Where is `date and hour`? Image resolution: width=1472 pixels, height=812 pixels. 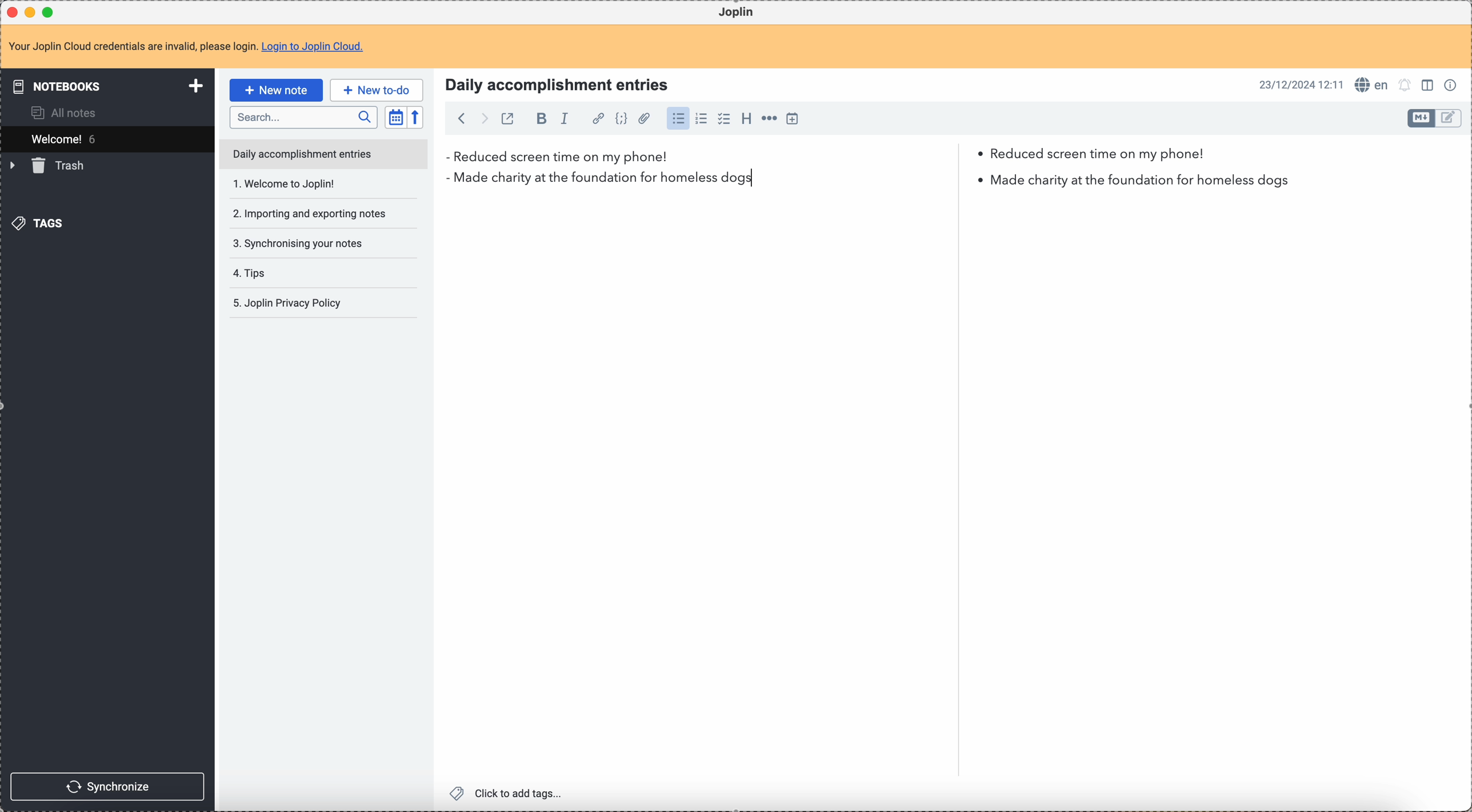
date and hour is located at coordinates (1299, 85).